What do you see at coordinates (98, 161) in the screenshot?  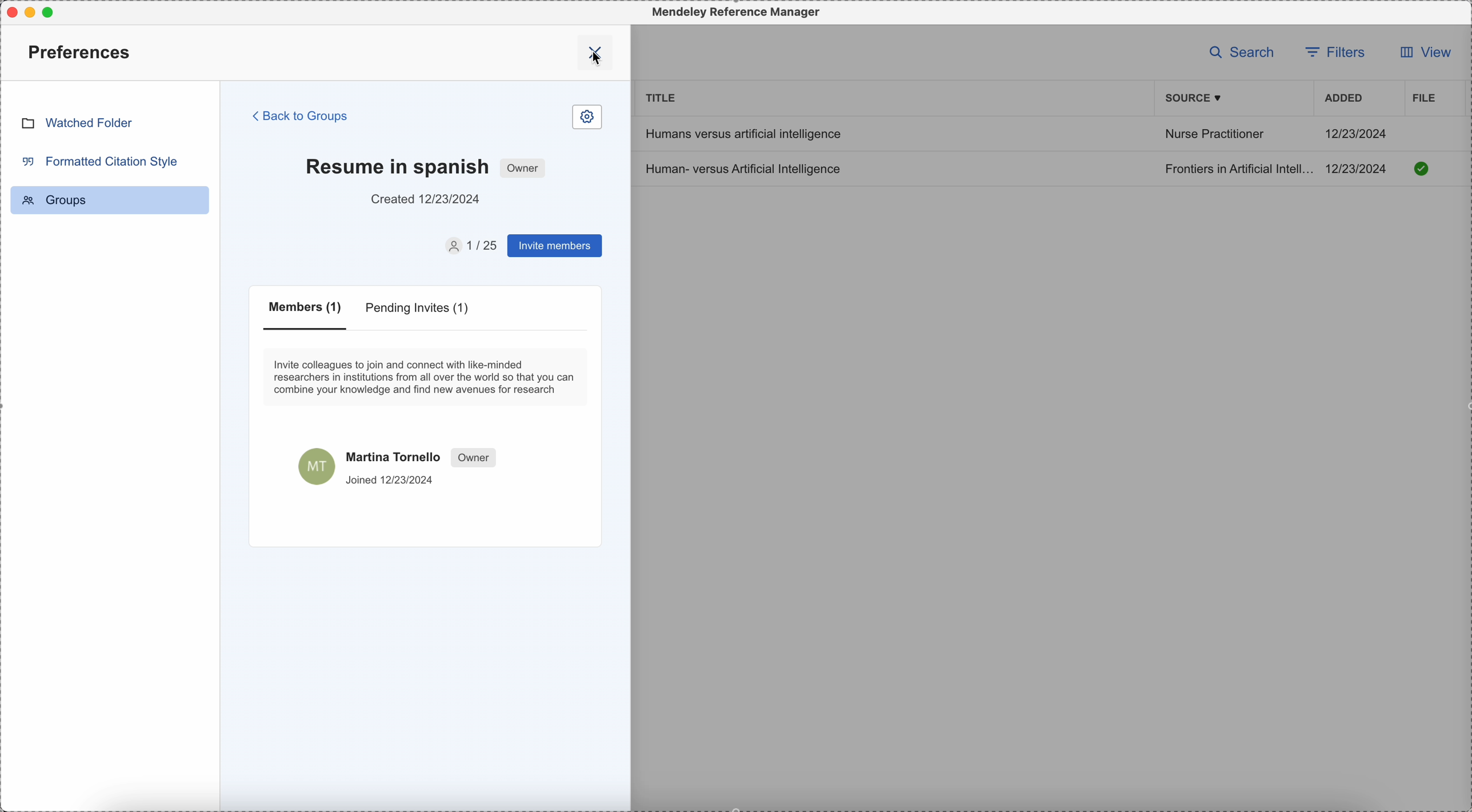 I see `formatted  citation style` at bounding box center [98, 161].